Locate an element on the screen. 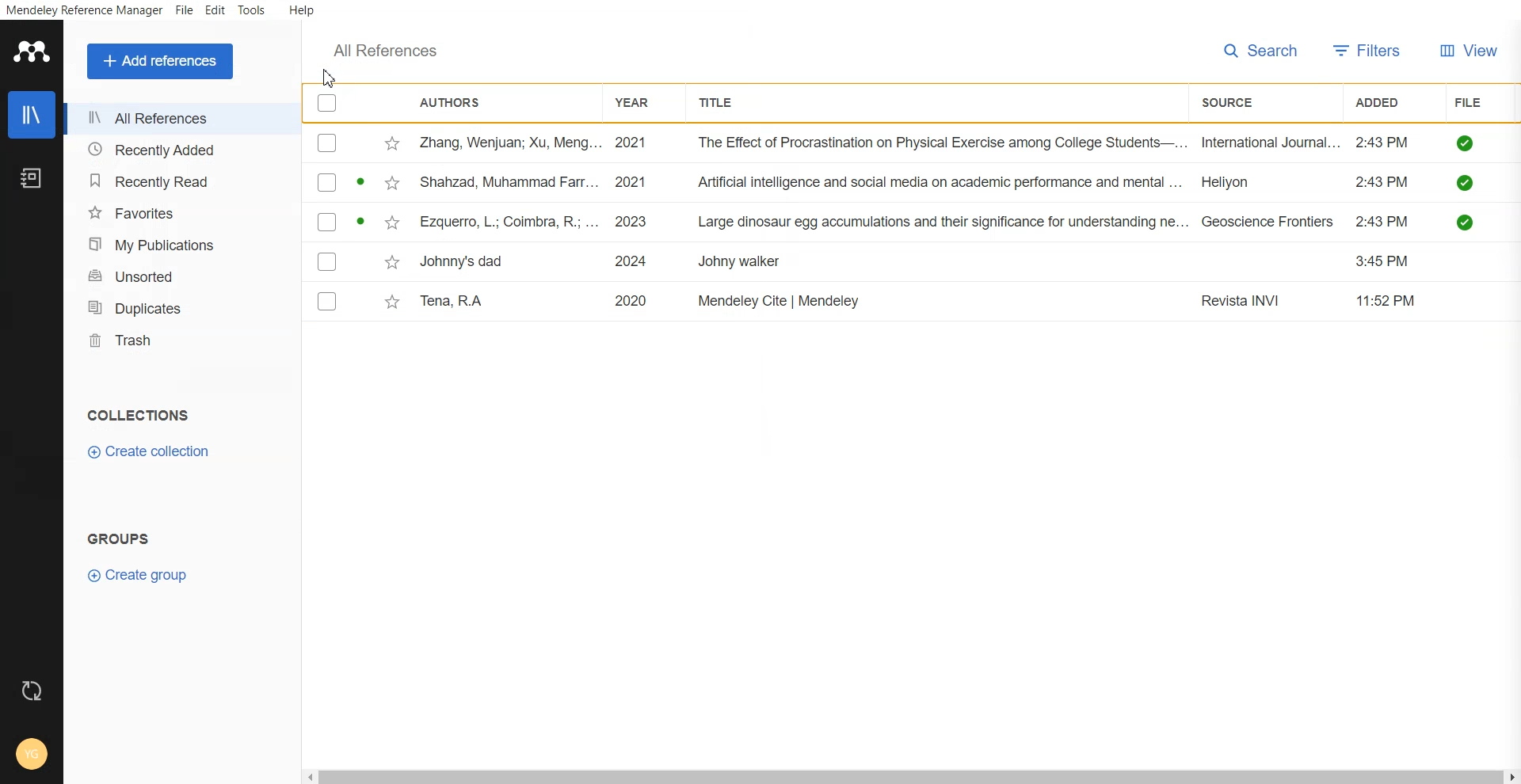 The height and width of the screenshot is (784, 1521). My Publication is located at coordinates (177, 243).